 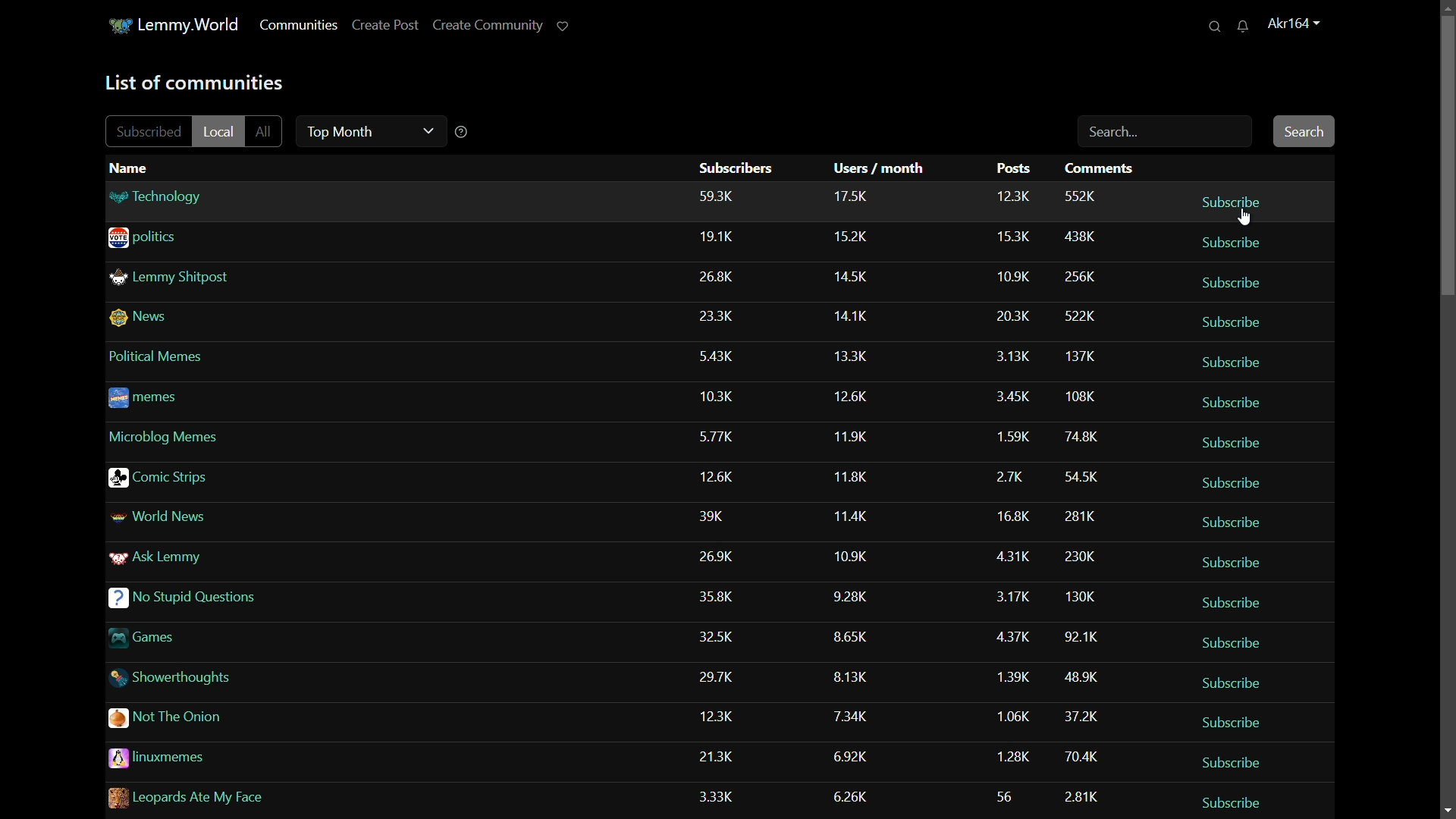 What do you see at coordinates (853, 717) in the screenshot?
I see `user per month` at bounding box center [853, 717].